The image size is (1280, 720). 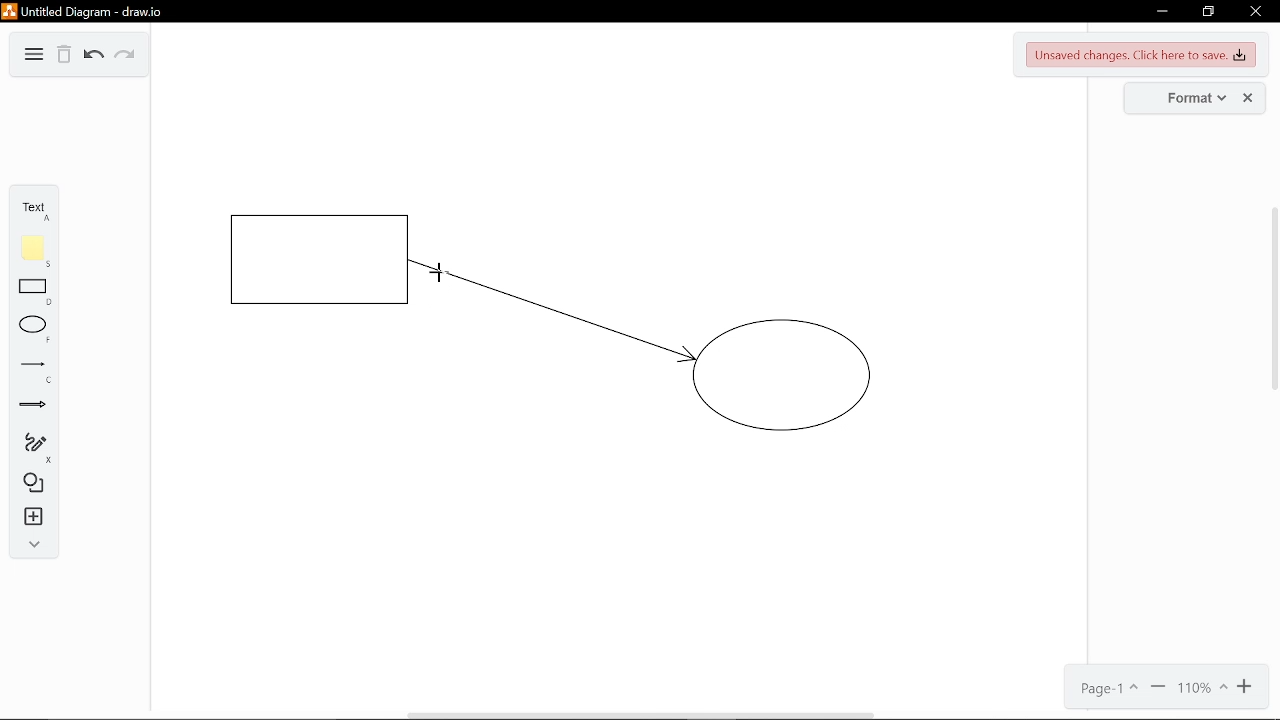 What do you see at coordinates (1209, 11) in the screenshot?
I see `Restore down` at bounding box center [1209, 11].